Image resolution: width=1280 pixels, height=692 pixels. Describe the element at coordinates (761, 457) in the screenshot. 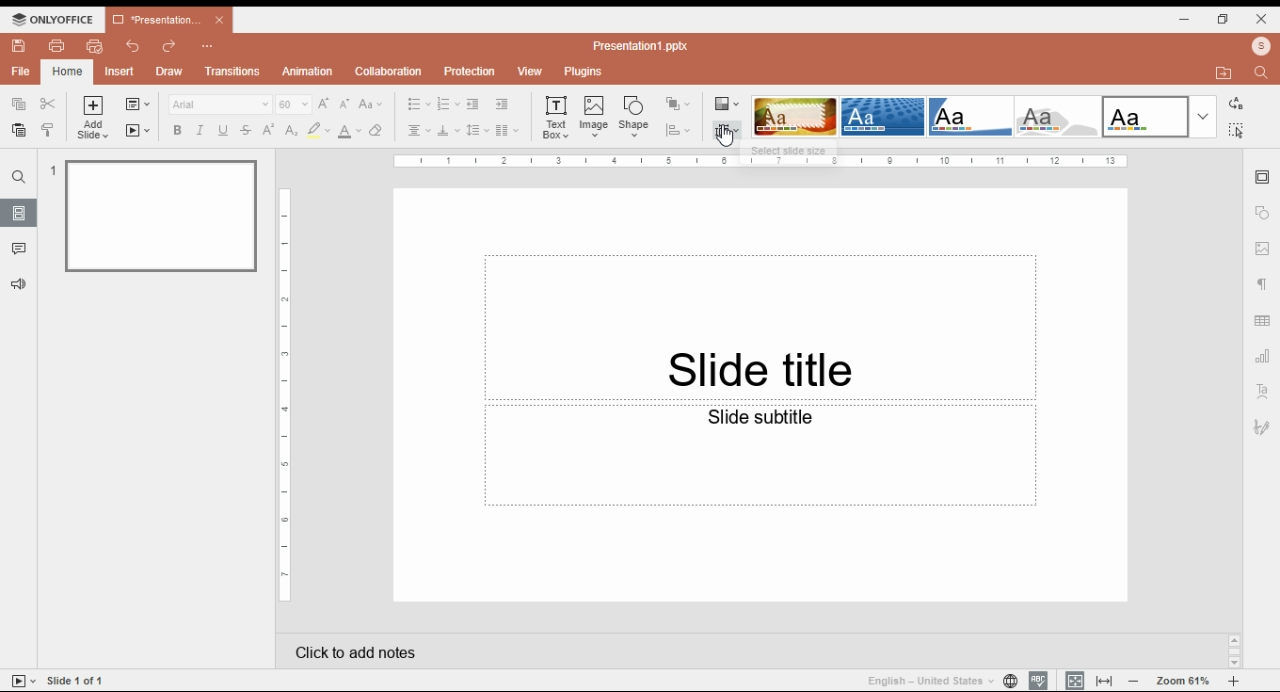

I see `Slide subtitle` at that location.